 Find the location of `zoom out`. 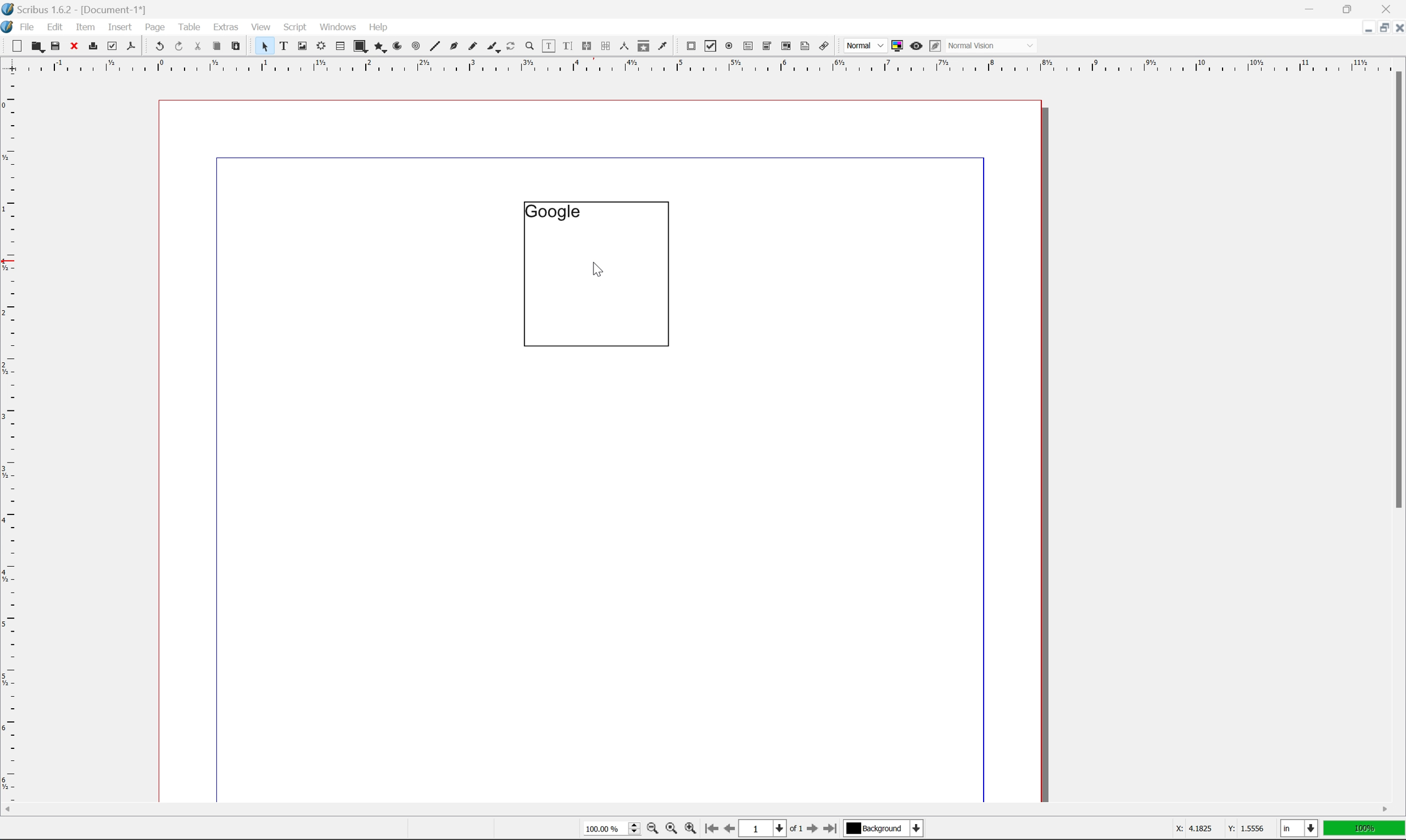

zoom out is located at coordinates (649, 830).